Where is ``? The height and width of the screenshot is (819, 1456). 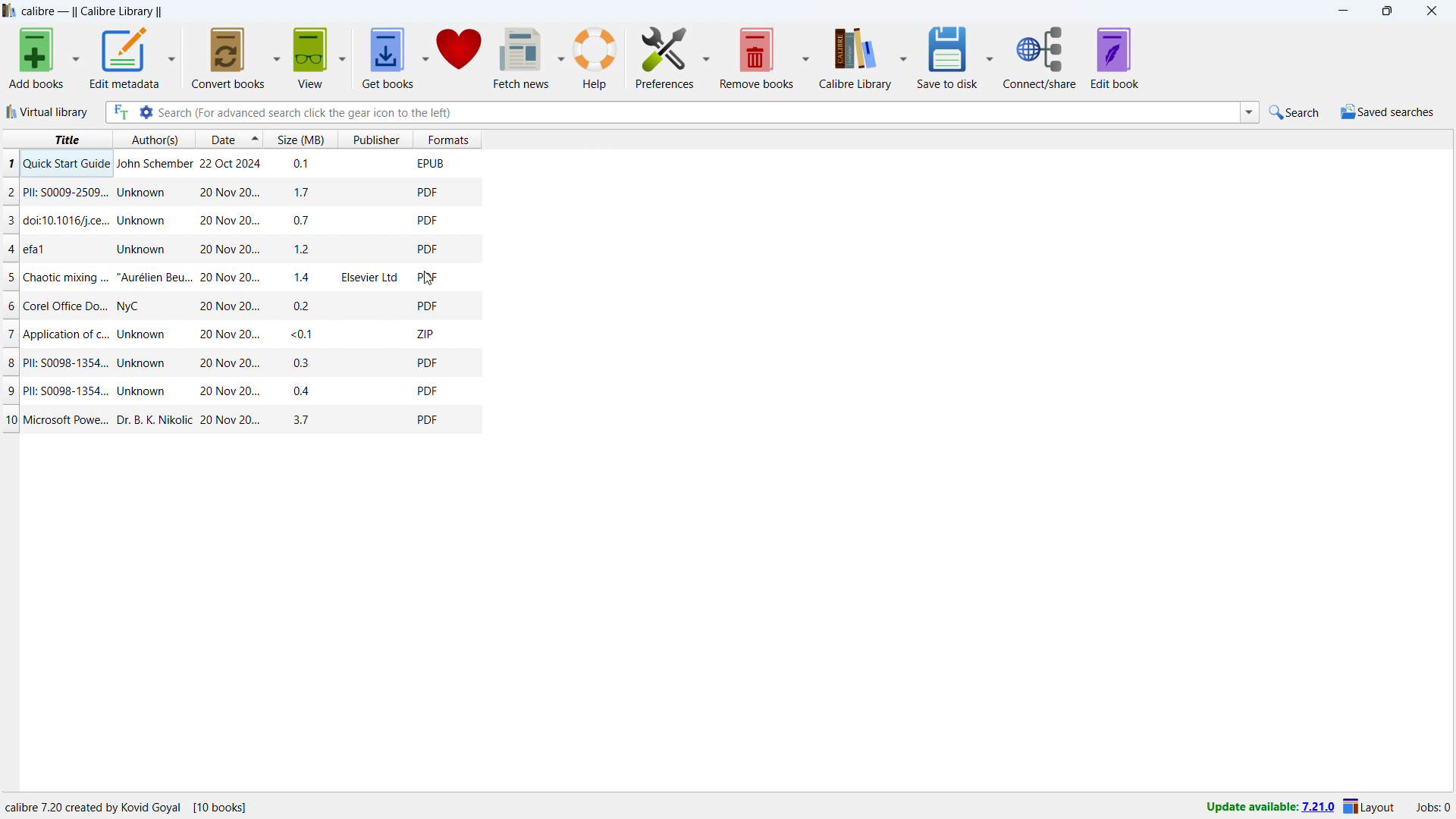  is located at coordinates (133, 802).